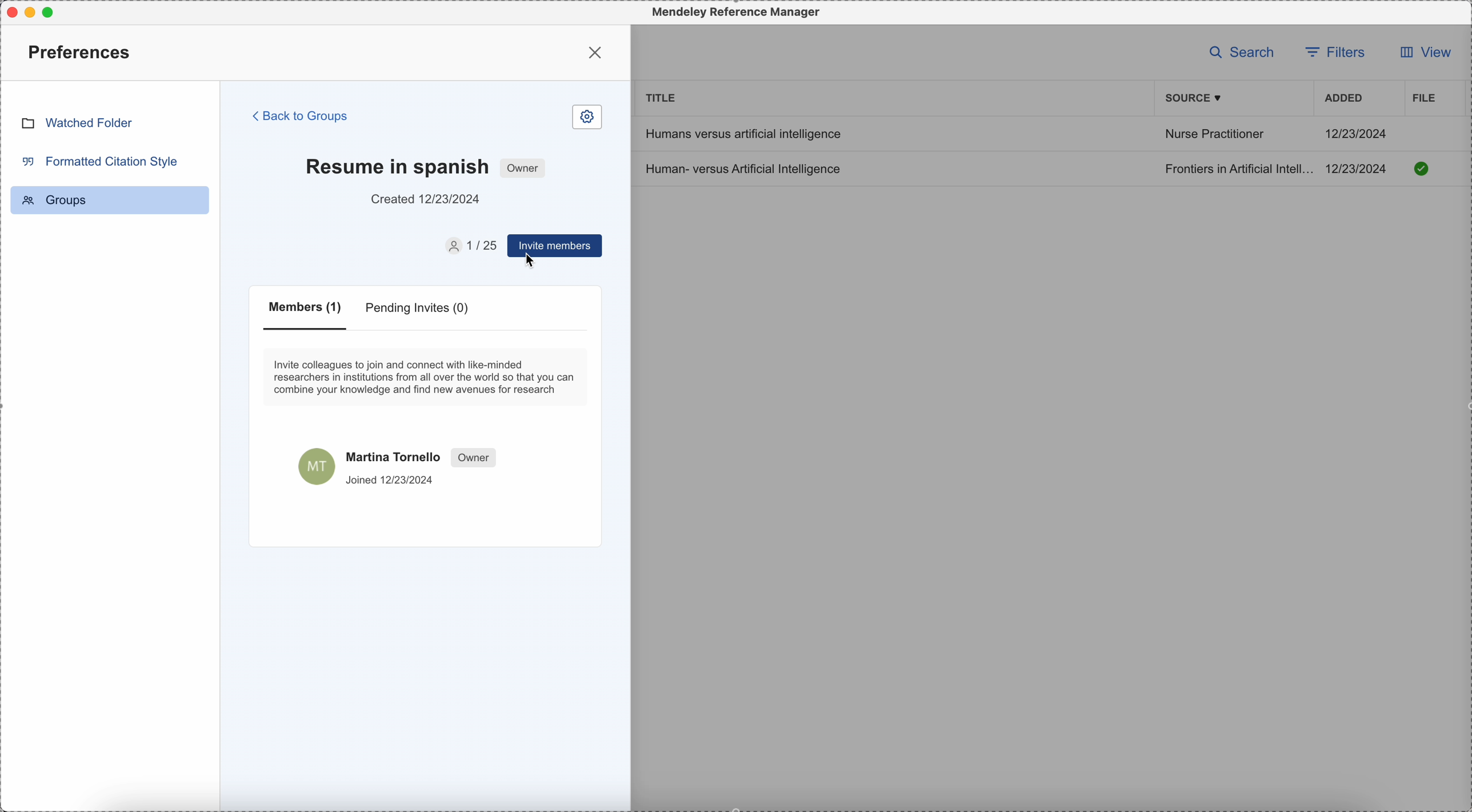 This screenshot has height=812, width=1472. What do you see at coordinates (733, 13) in the screenshot?
I see `Mendeley Reference Manager` at bounding box center [733, 13].